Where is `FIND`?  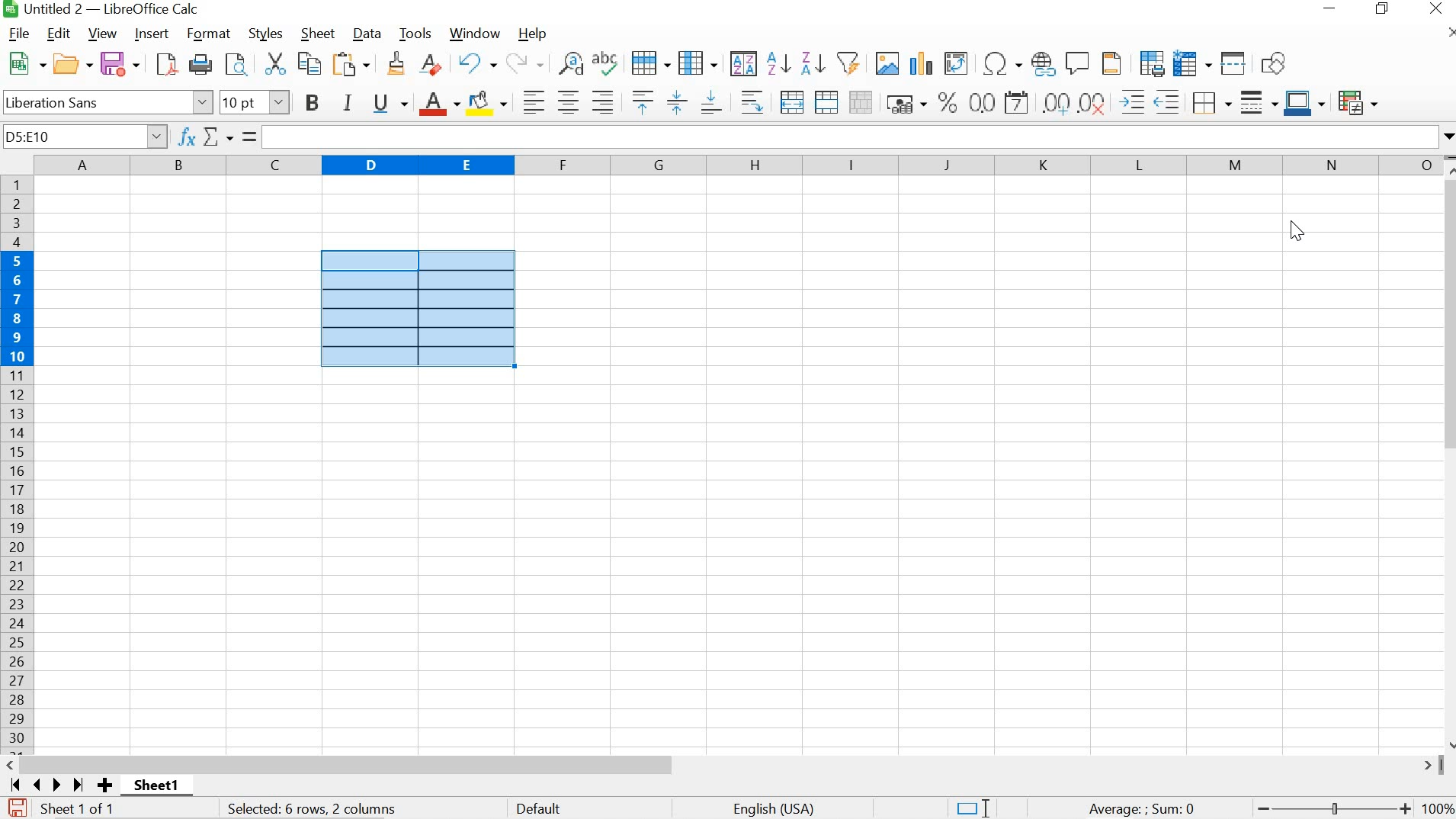
FIND is located at coordinates (240, 64).